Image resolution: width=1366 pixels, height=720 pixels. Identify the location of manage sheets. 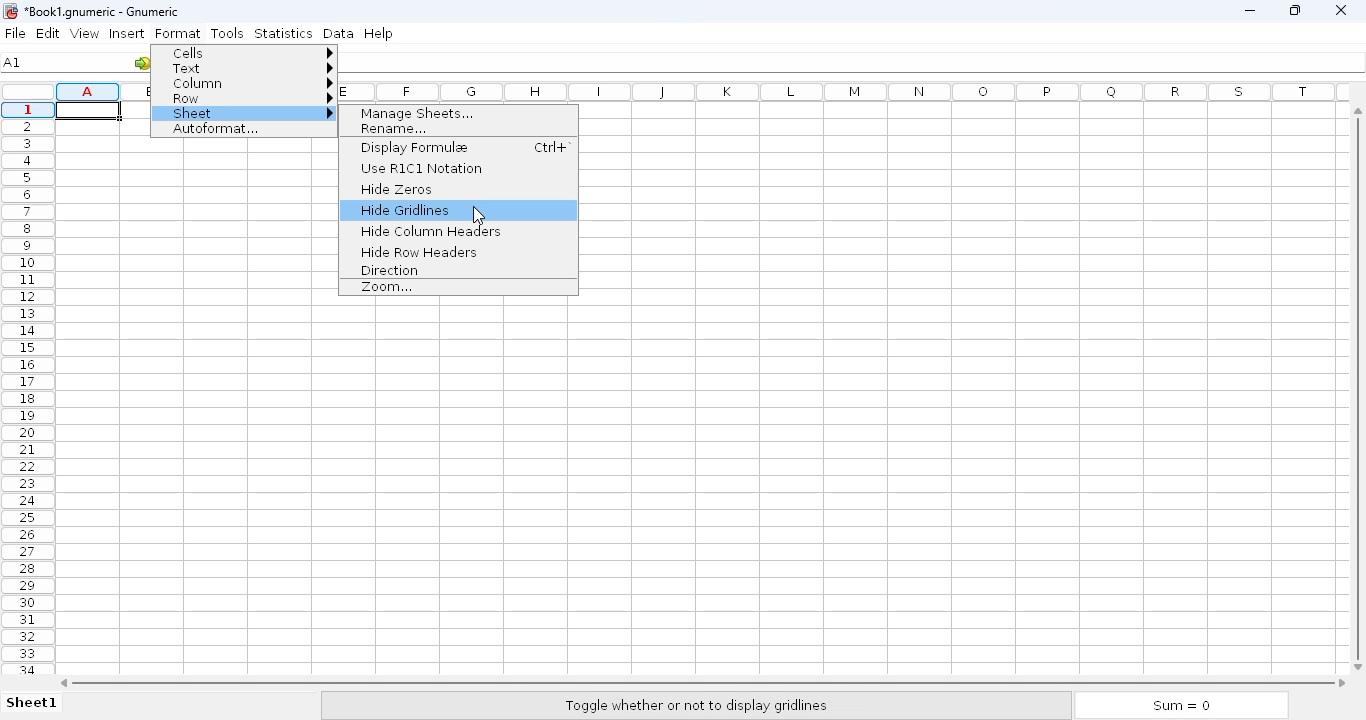
(416, 114).